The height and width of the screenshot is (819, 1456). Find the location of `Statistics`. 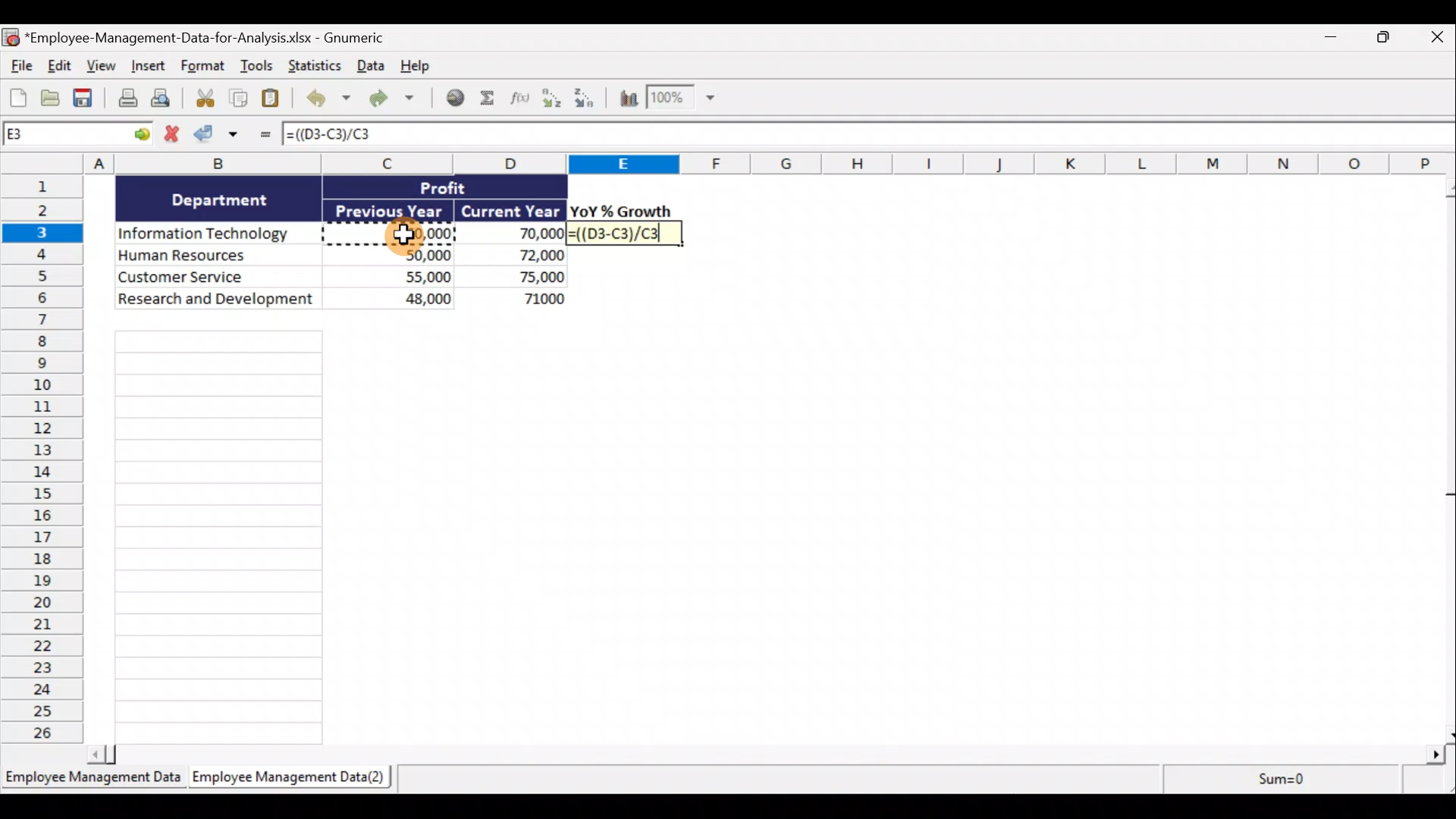

Statistics is located at coordinates (312, 66).